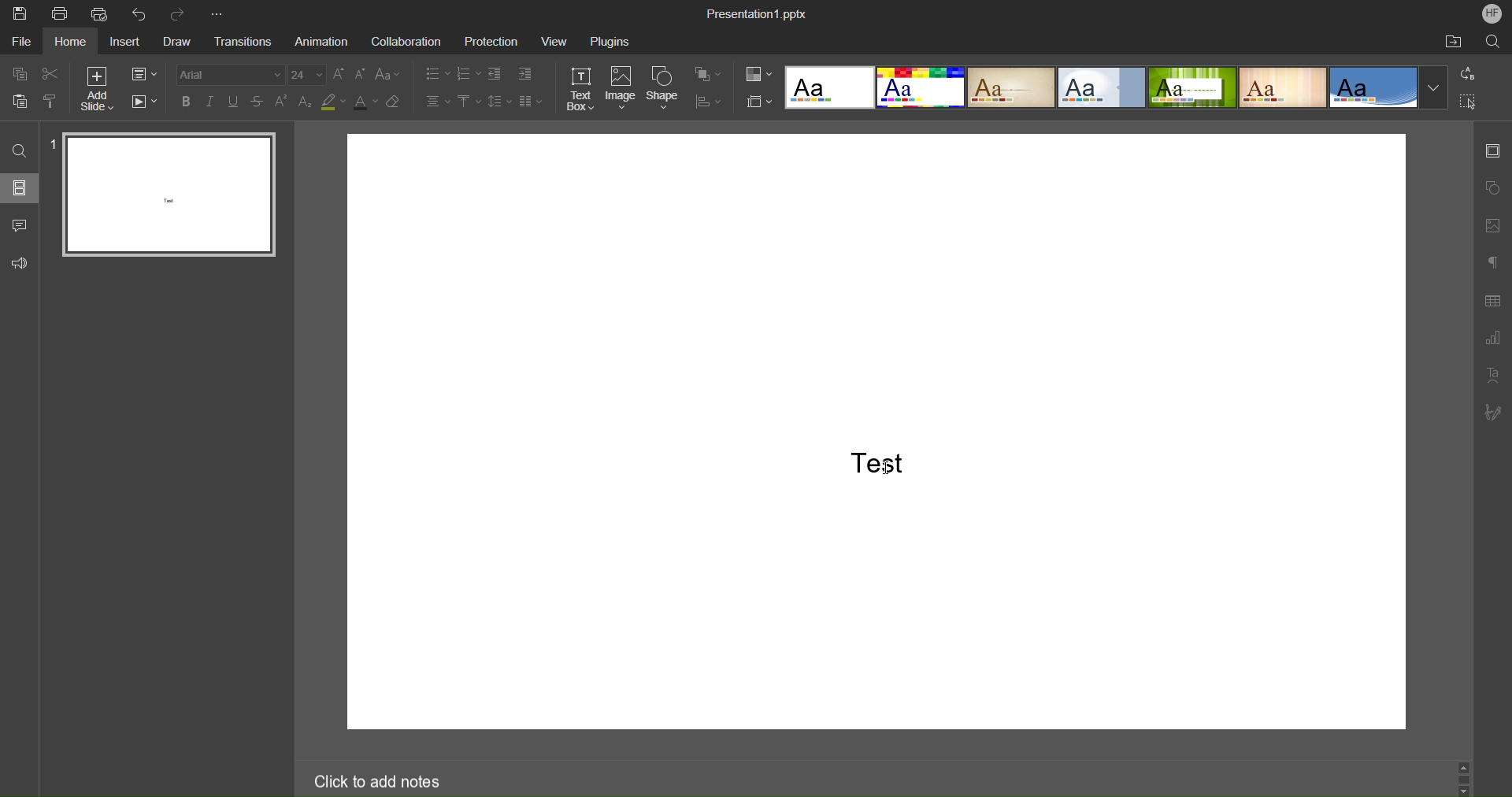 This screenshot has height=797, width=1512. Describe the element at coordinates (1469, 75) in the screenshot. I see `Replace` at that location.